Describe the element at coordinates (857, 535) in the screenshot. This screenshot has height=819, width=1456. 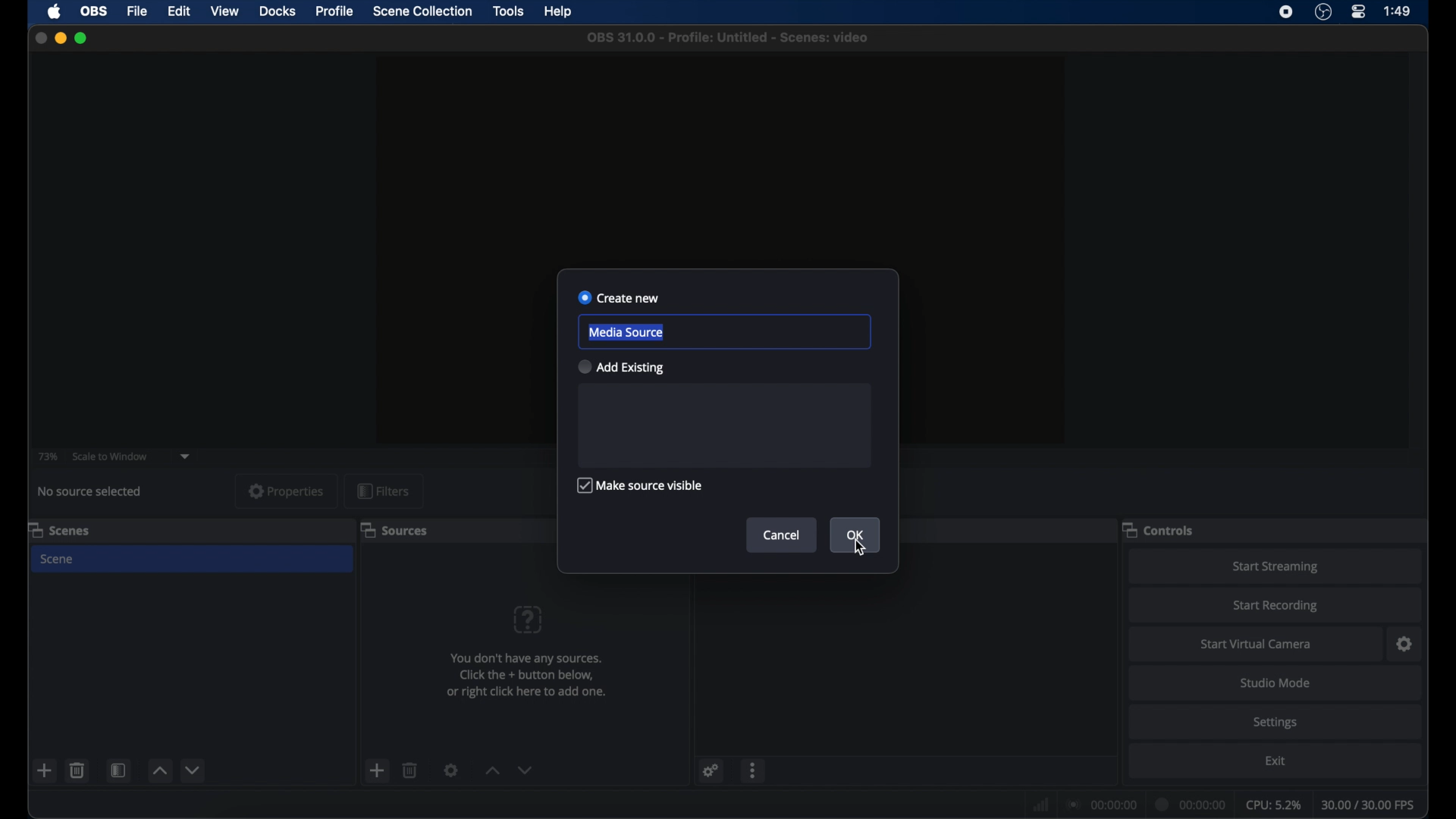
I see `ok` at that location.